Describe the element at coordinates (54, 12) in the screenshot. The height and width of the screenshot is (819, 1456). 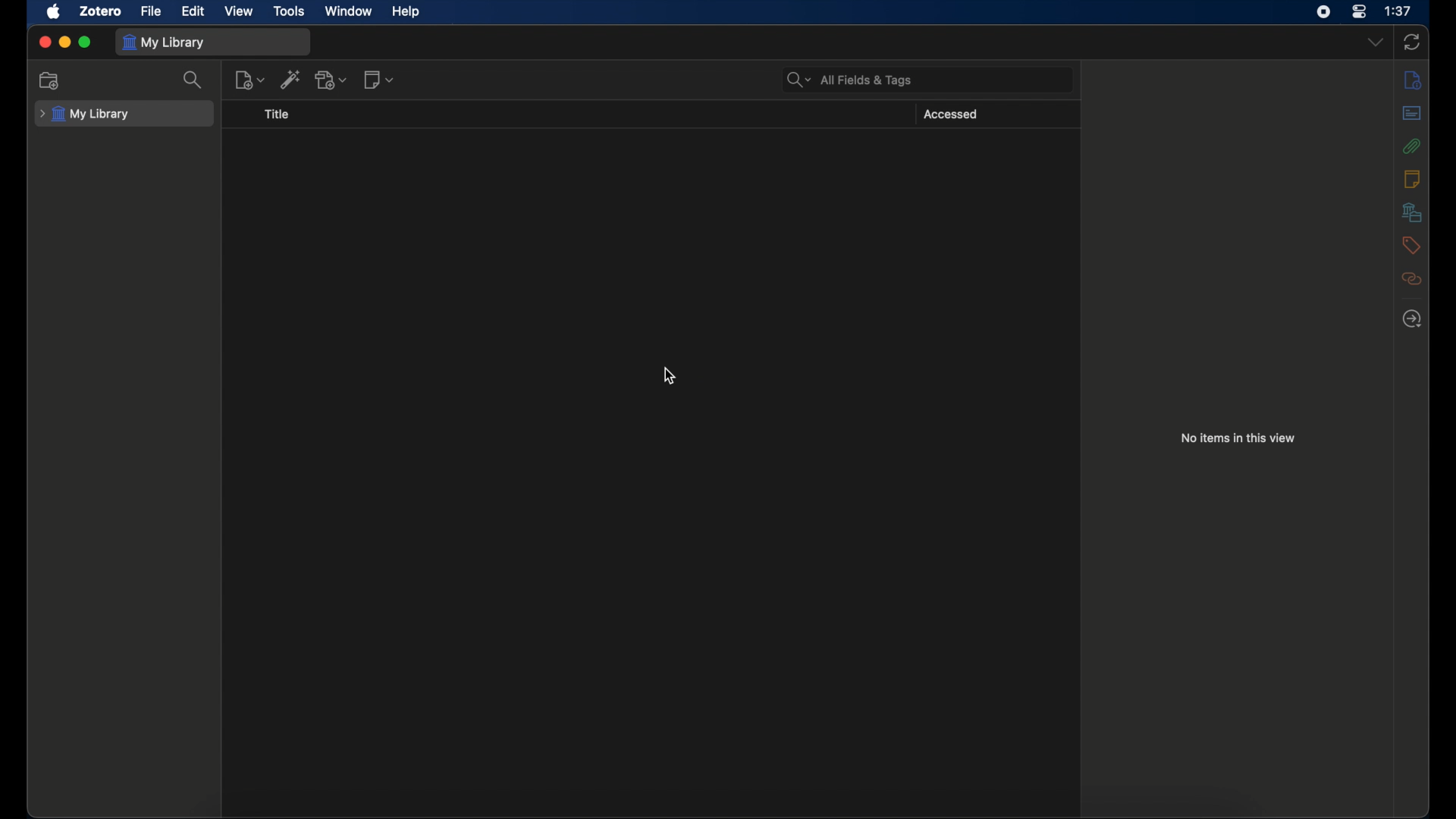
I see `apple icon` at that location.